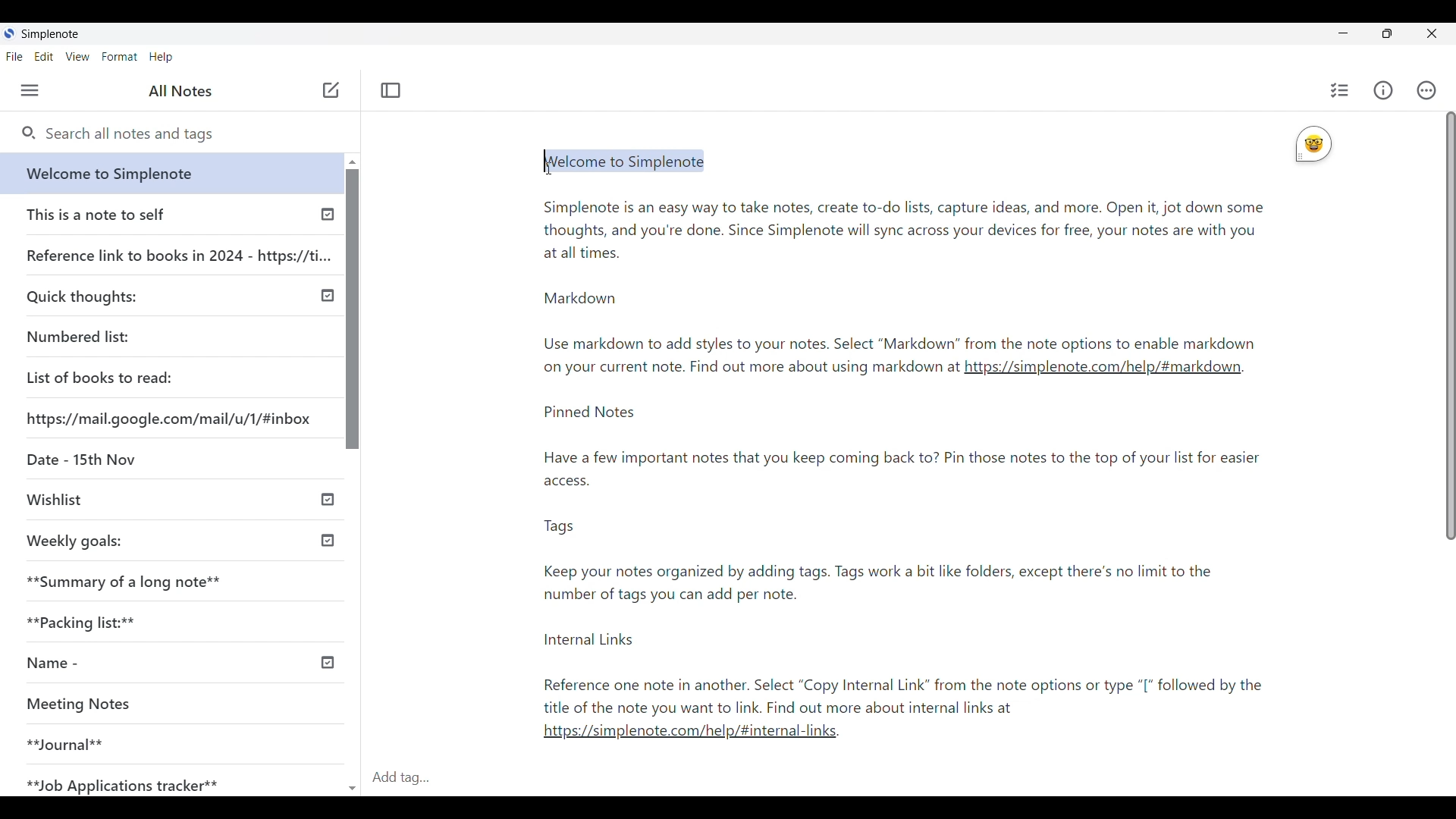 This screenshot has height=819, width=1456. I want to click on Software name, so click(49, 34).